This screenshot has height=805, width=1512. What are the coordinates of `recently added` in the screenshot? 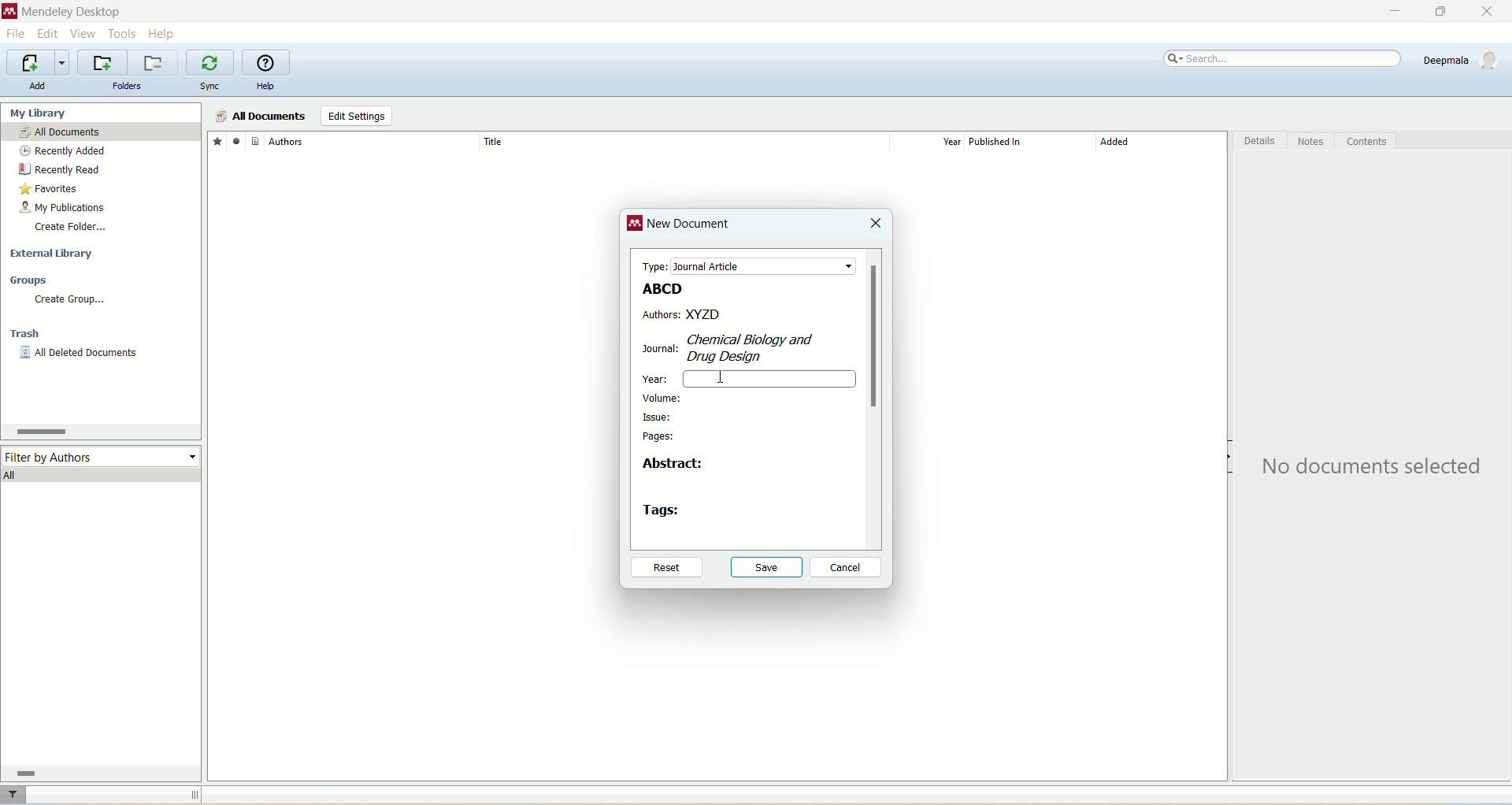 It's located at (63, 151).